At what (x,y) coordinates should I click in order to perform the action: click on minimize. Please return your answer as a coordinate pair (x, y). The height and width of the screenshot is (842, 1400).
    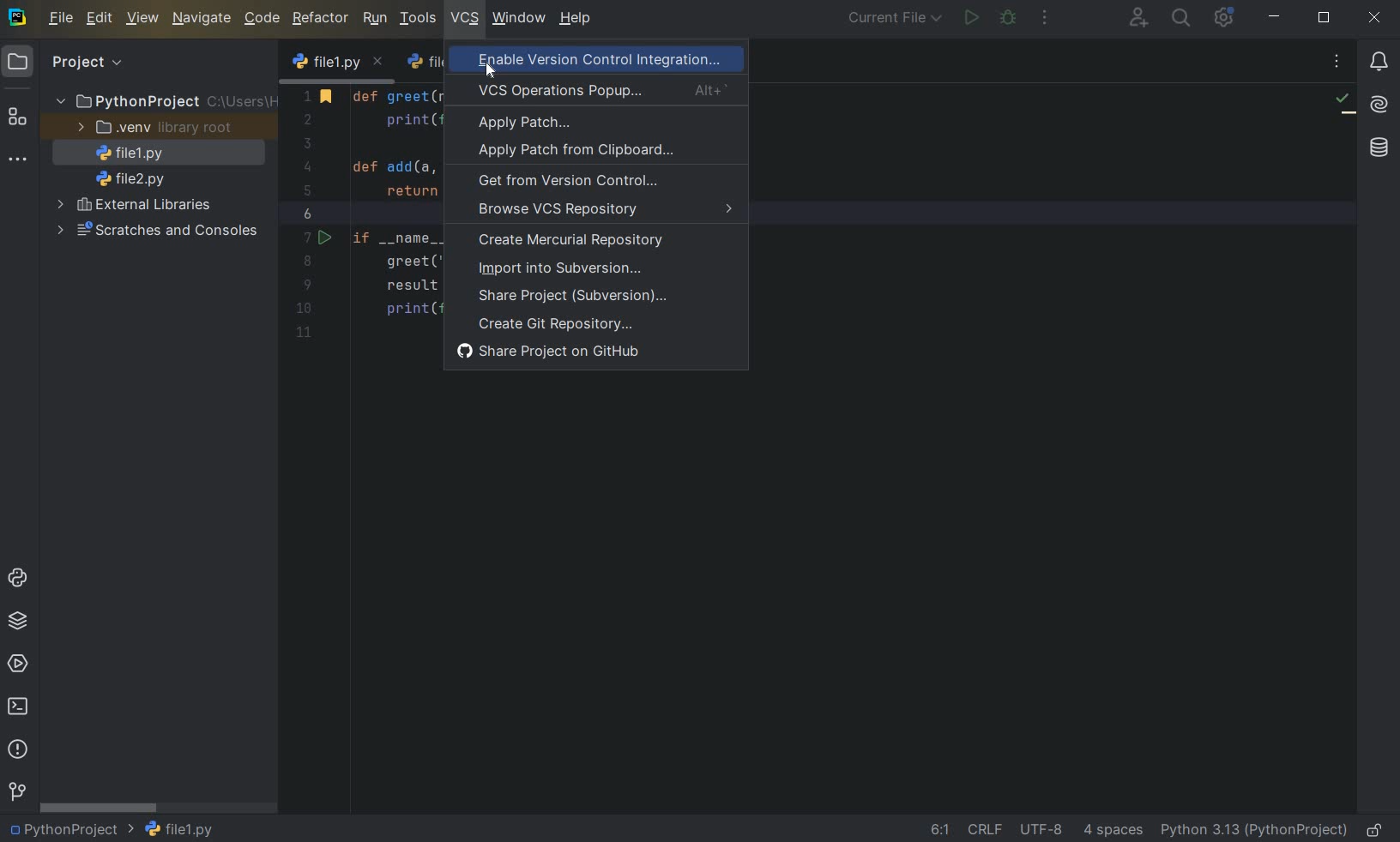
    Looking at the image, I should click on (1275, 18).